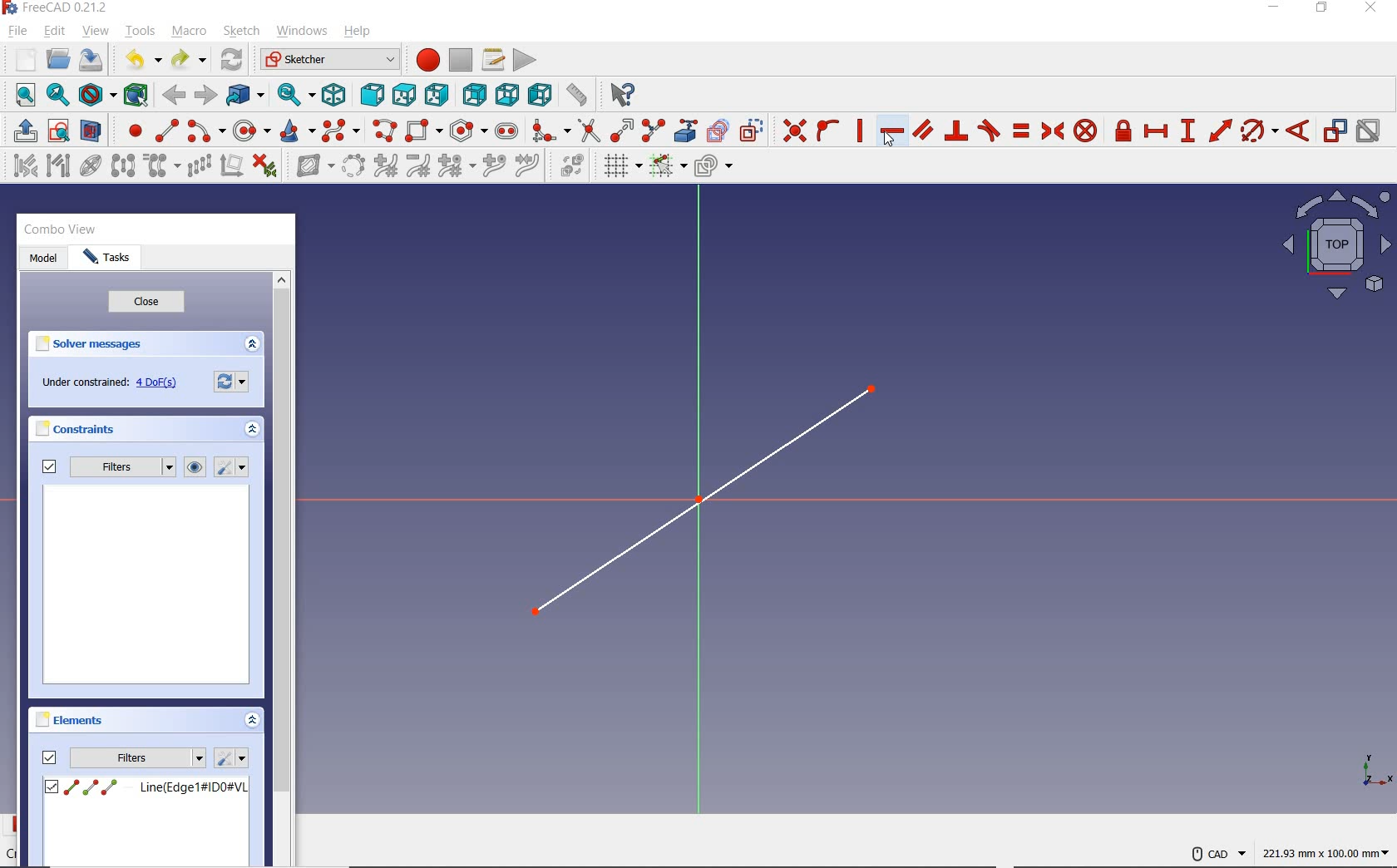 The width and height of the screenshot is (1397, 868). What do you see at coordinates (296, 131) in the screenshot?
I see `CREATE CONIC` at bounding box center [296, 131].